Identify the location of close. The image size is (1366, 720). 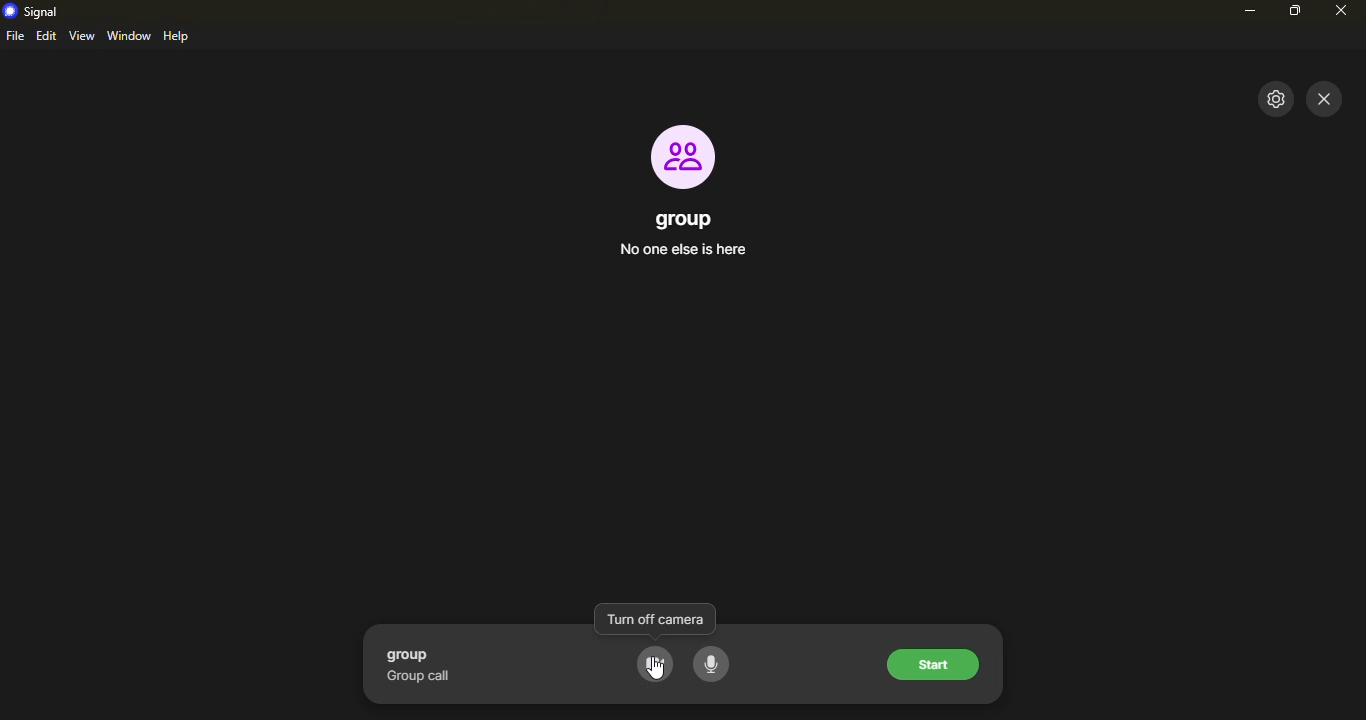
(1342, 11).